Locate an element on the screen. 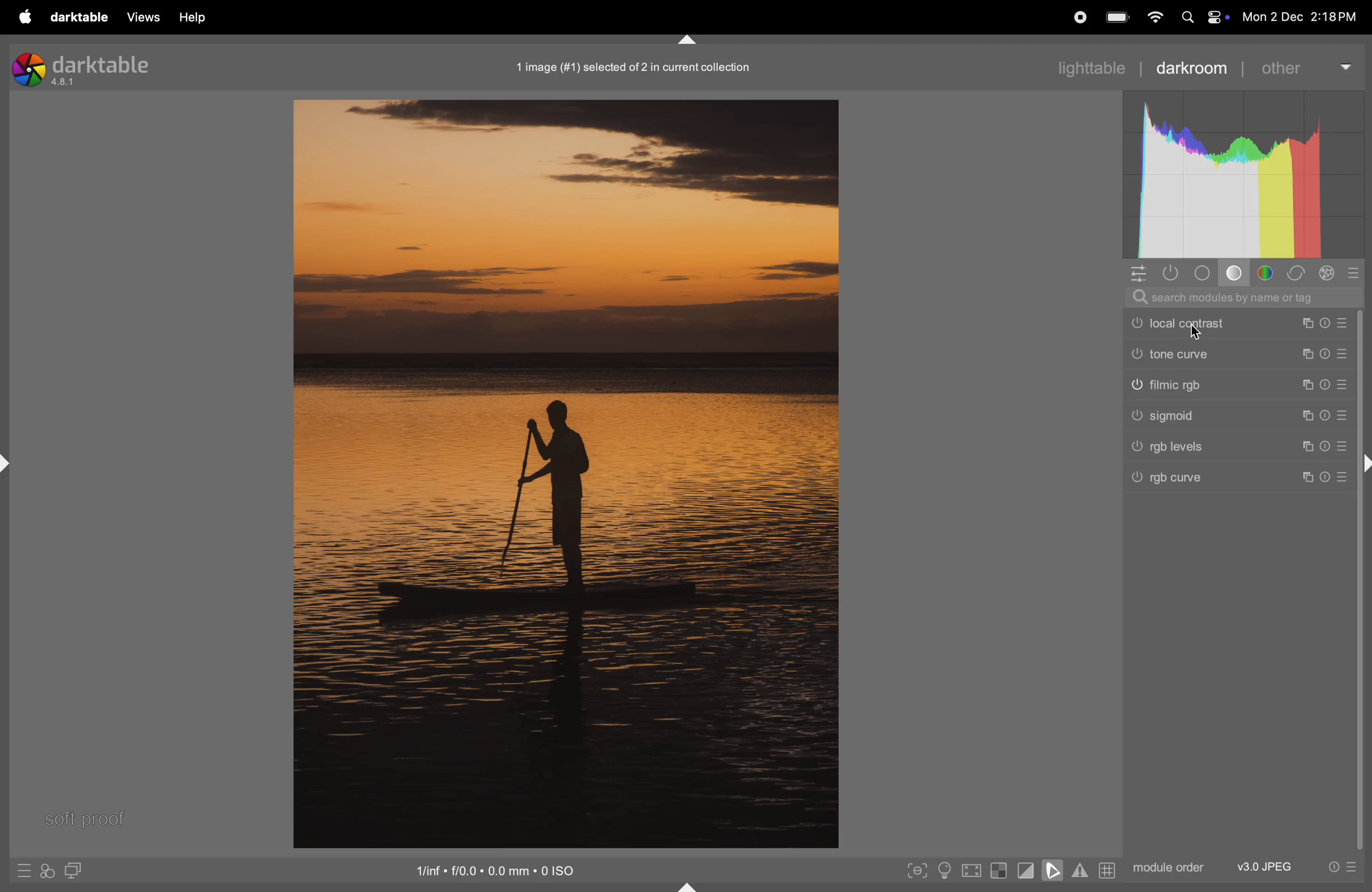  rgb curve is located at coordinates (1237, 478).